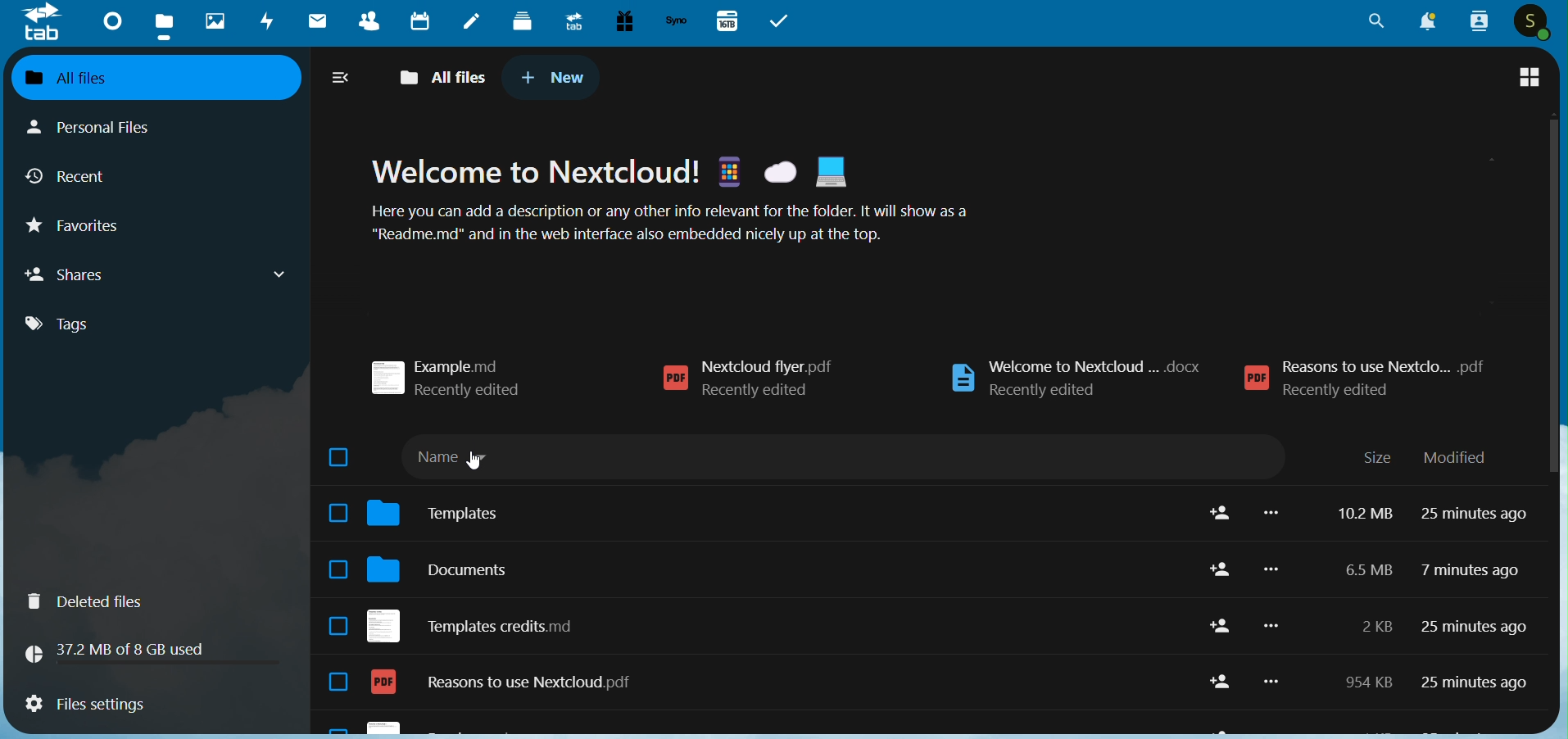  Describe the element at coordinates (424, 20) in the screenshot. I see `Calendar` at that location.